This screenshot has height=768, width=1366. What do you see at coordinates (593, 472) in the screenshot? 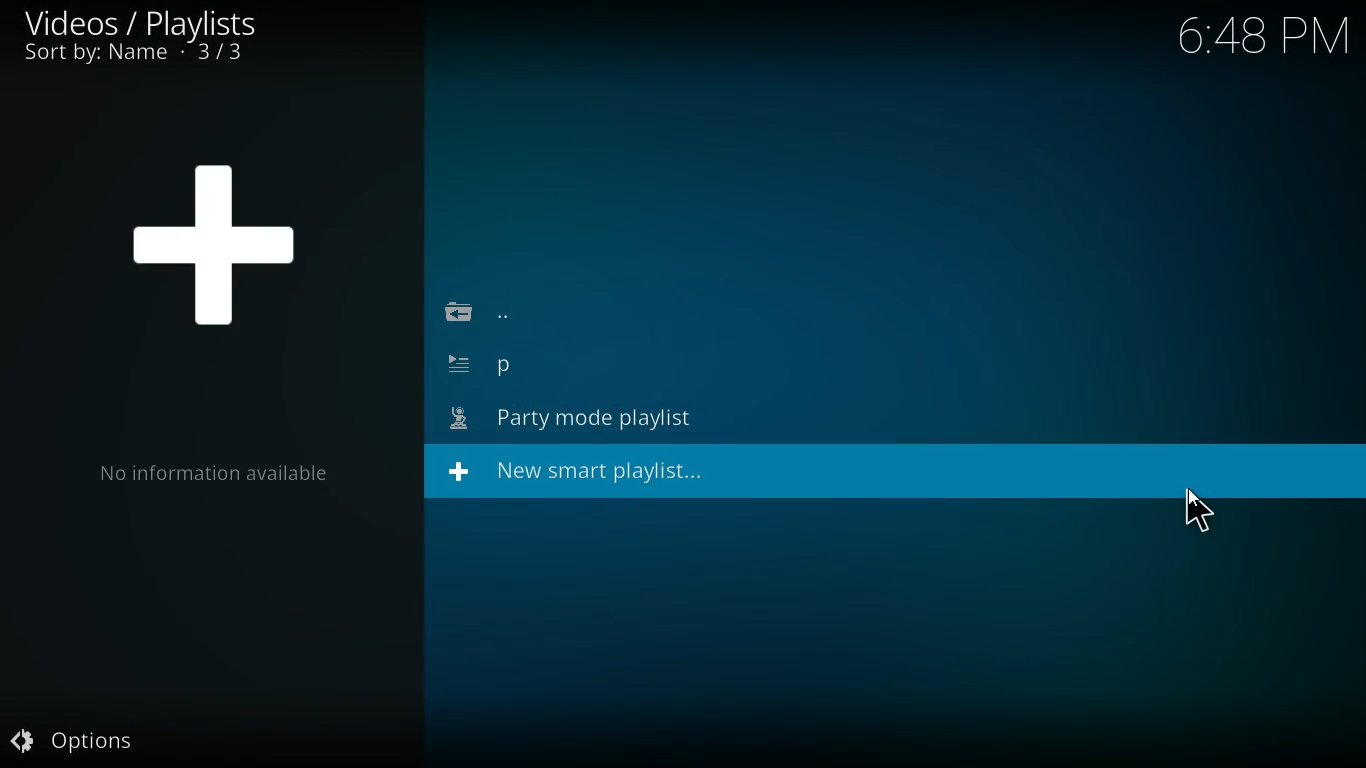
I see `new smart playlist` at bounding box center [593, 472].